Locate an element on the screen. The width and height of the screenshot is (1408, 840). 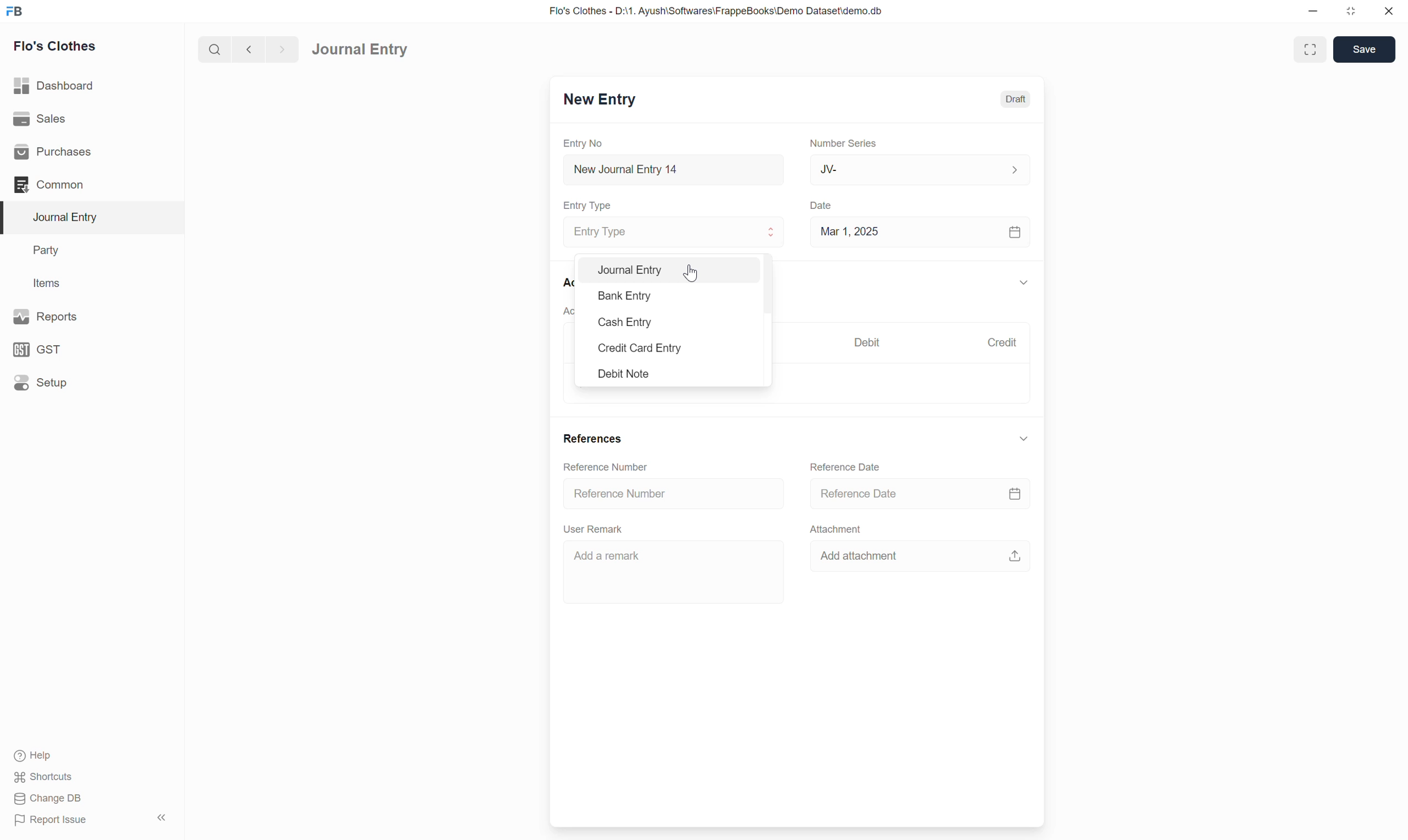
forward is located at coordinates (280, 50).